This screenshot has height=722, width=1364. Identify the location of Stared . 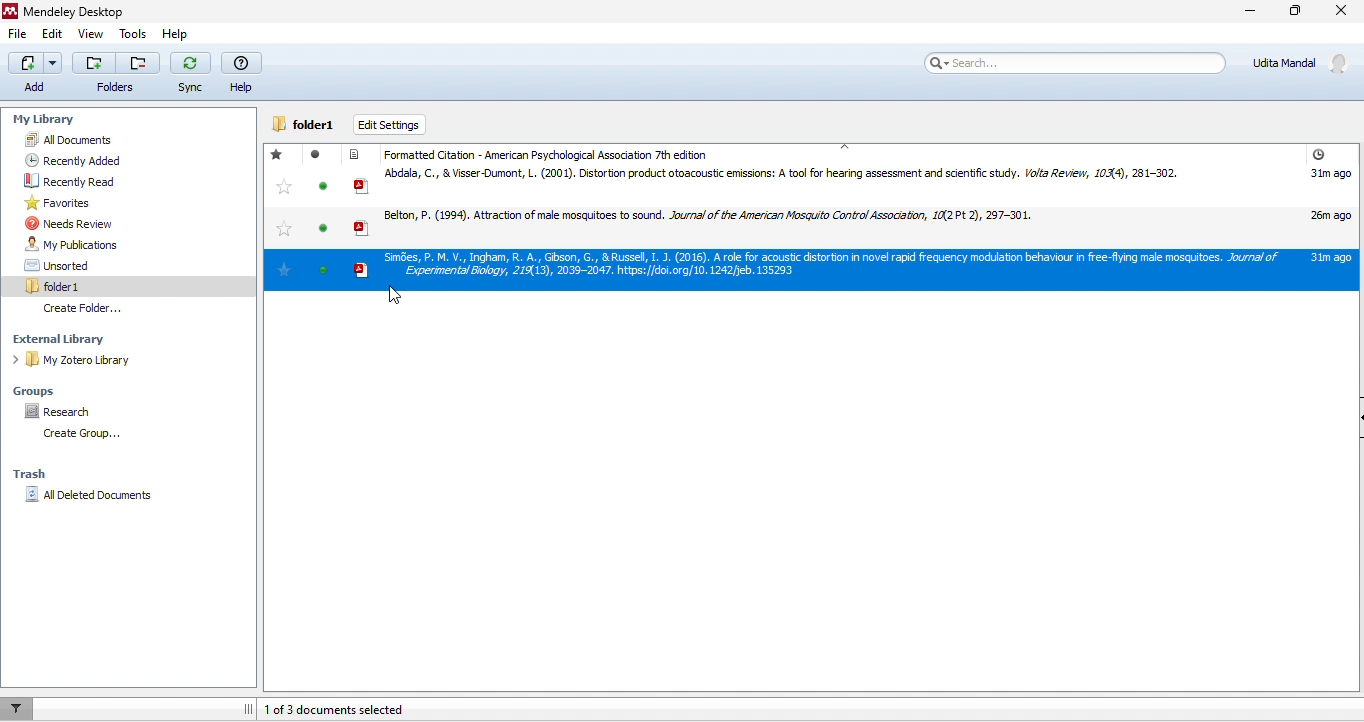
(281, 193).